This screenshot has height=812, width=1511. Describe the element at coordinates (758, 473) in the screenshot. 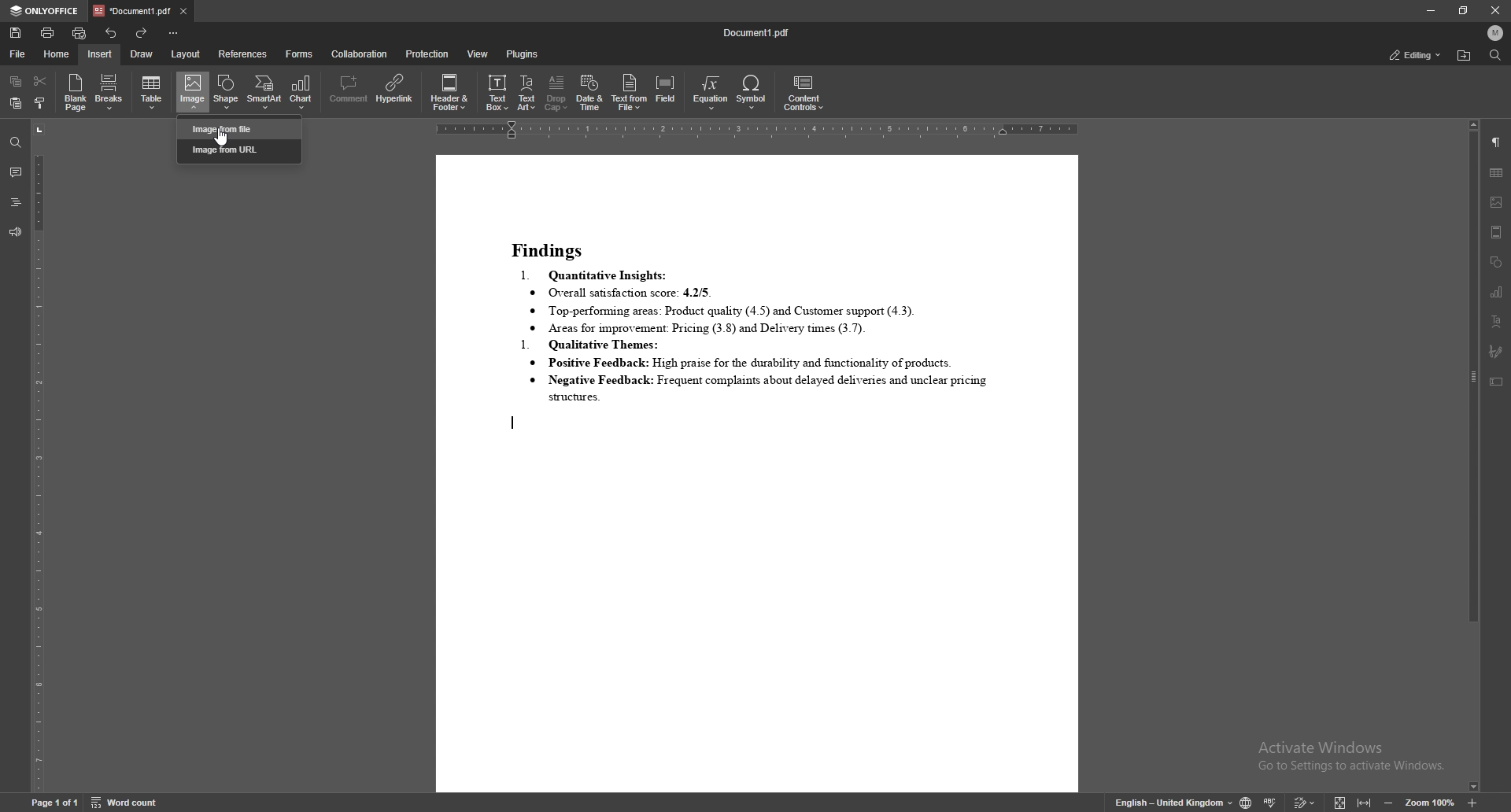

I see `document` at that location.